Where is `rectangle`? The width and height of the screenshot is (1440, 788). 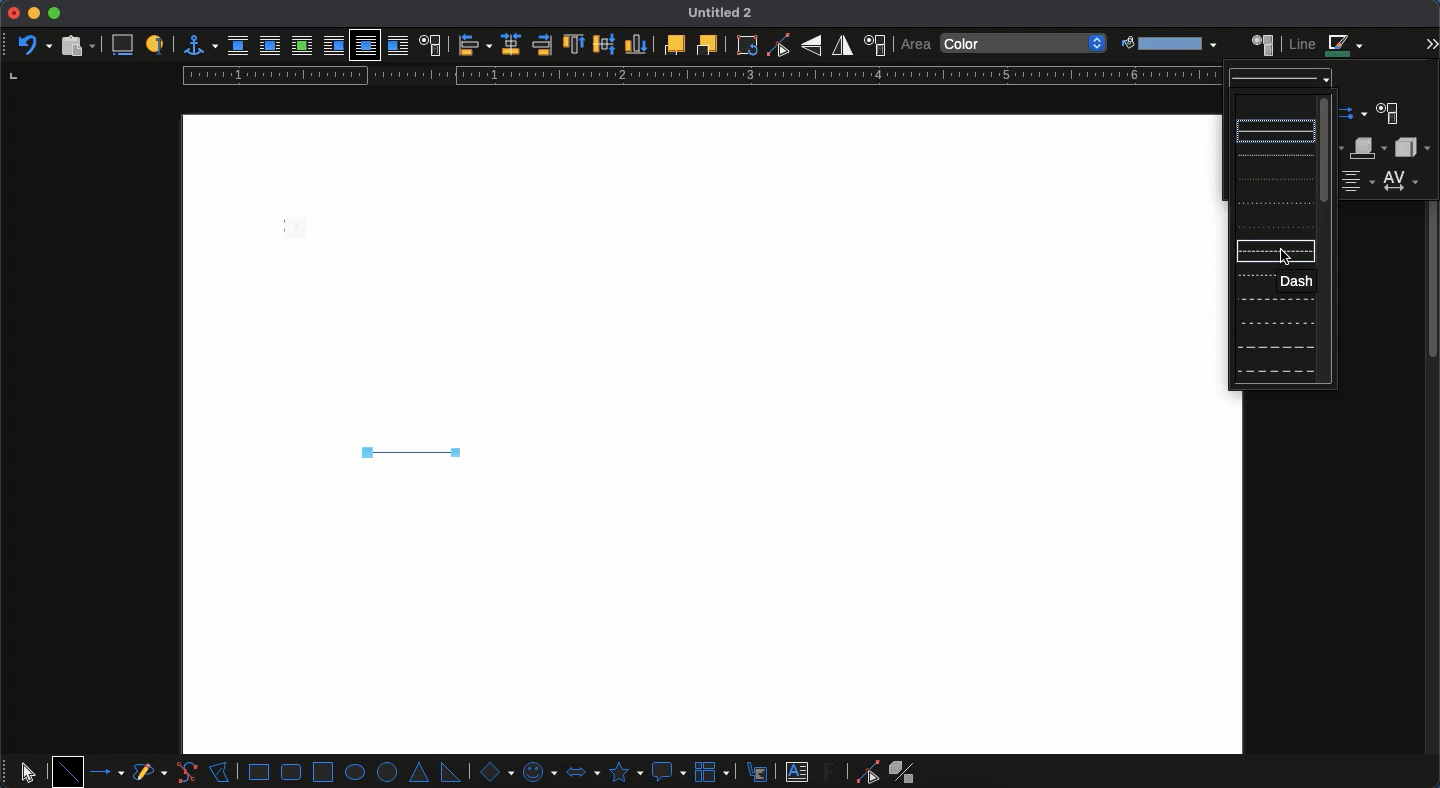
rectangle is located at coordinates (259, 772).